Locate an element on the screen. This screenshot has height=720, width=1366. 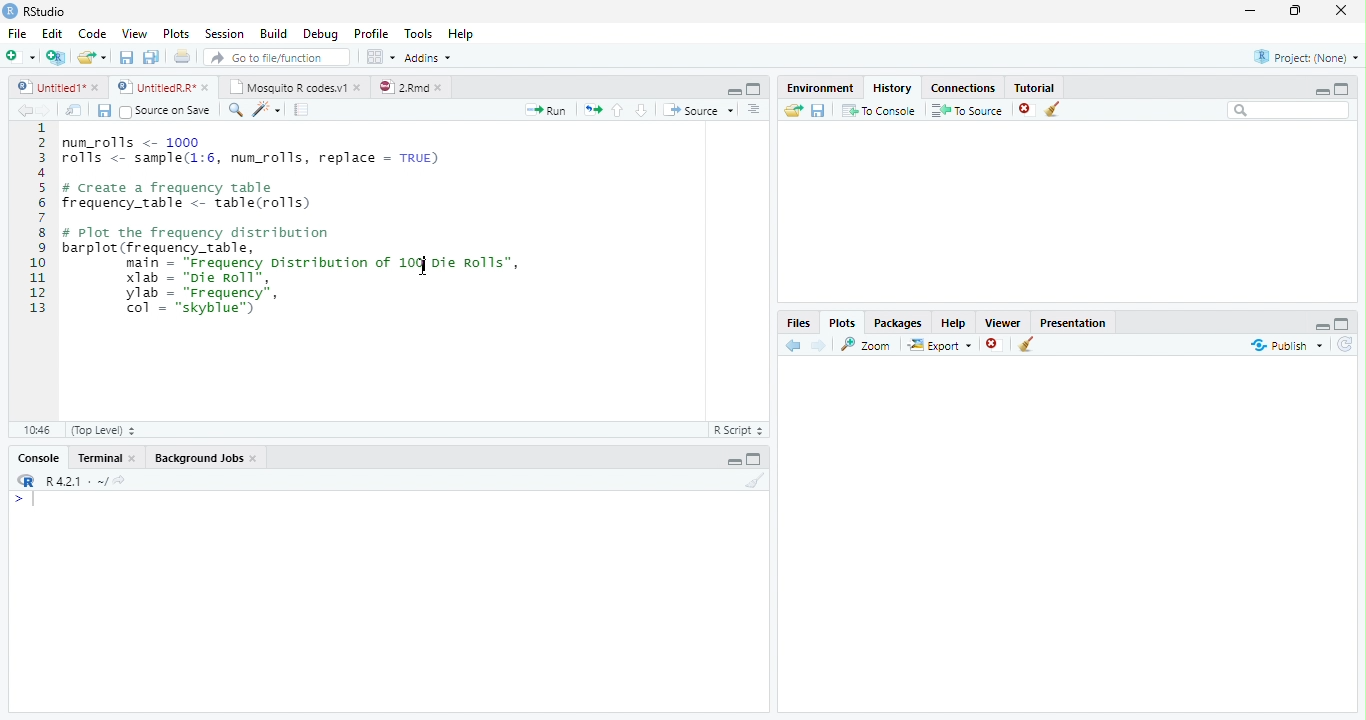
©) 28md is located at coordinates (410, 87).